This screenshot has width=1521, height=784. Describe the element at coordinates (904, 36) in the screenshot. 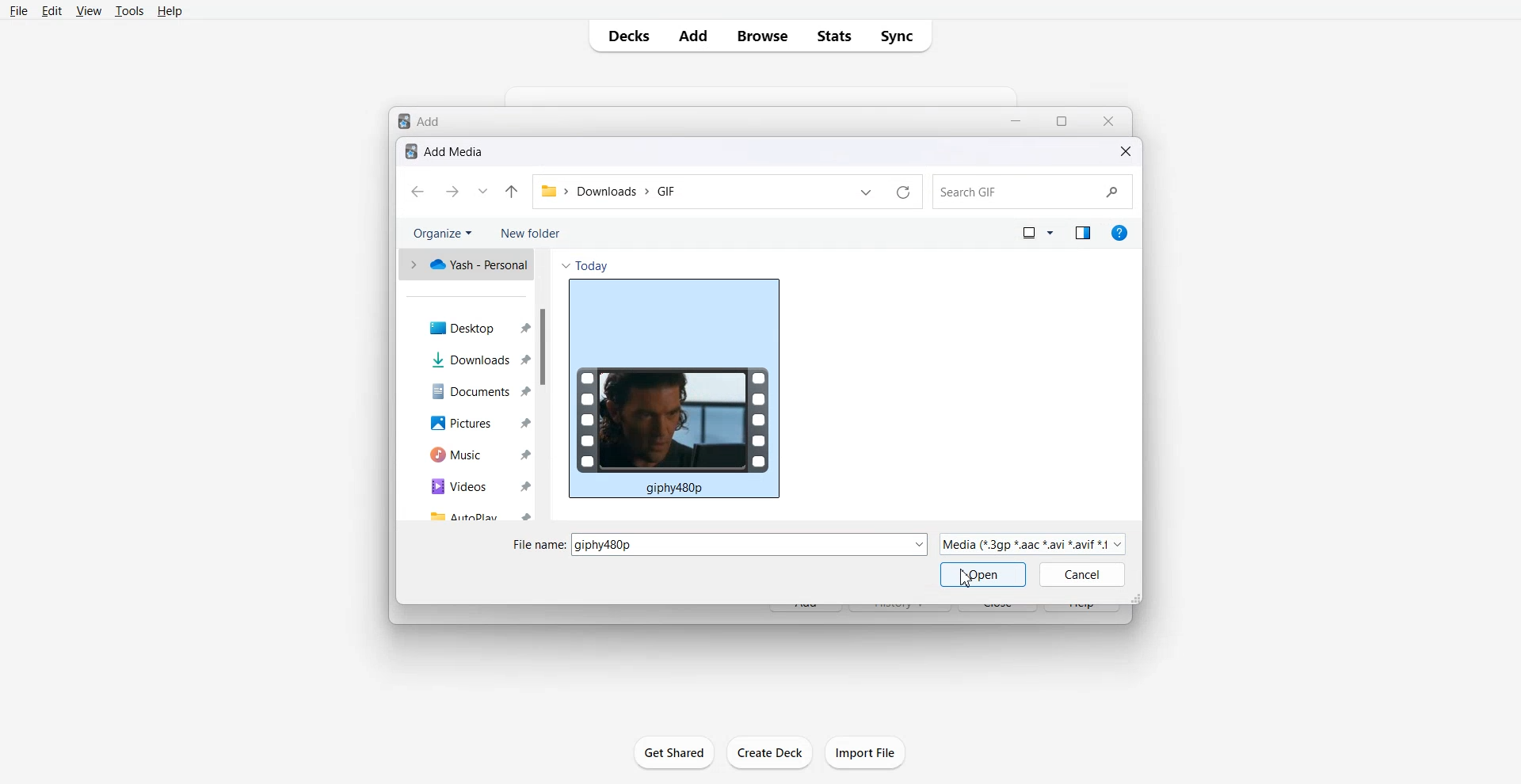

I see `Sync` at that location.